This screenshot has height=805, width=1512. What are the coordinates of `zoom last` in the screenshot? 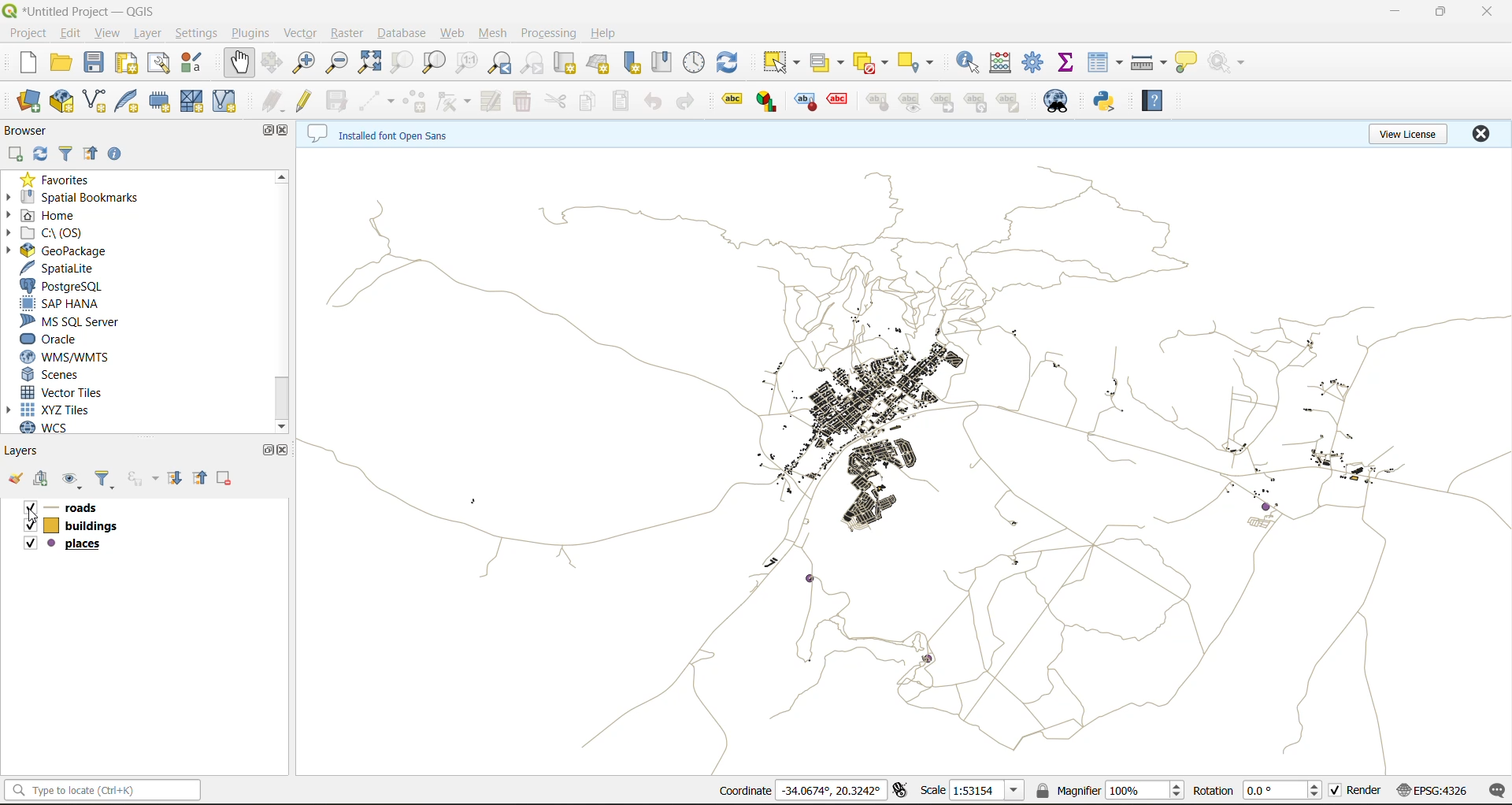 It's located at (502, 63).